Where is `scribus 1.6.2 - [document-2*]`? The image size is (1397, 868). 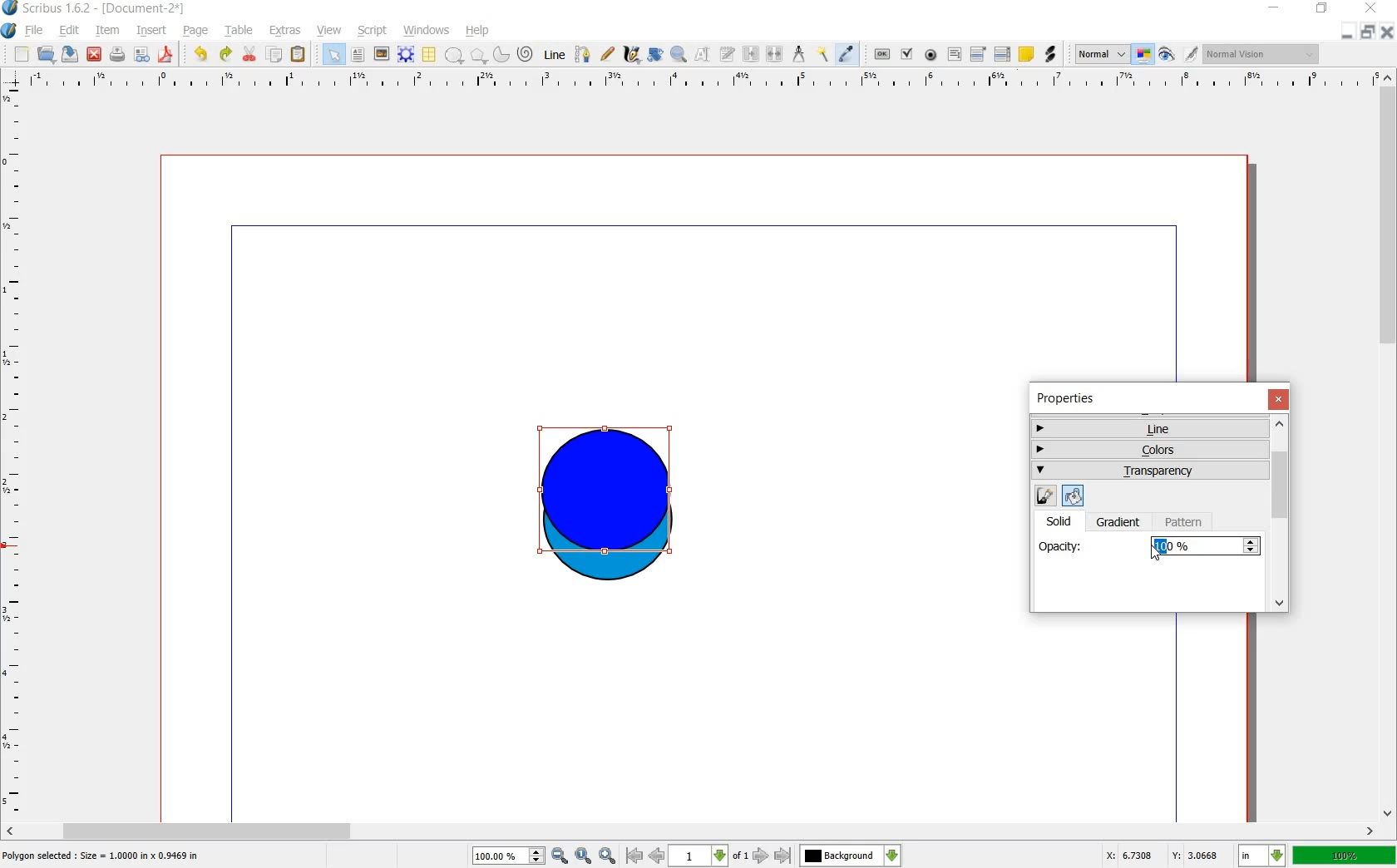 scribus 1.6.2 - [document-2*] is located at coordinates (106, 8).